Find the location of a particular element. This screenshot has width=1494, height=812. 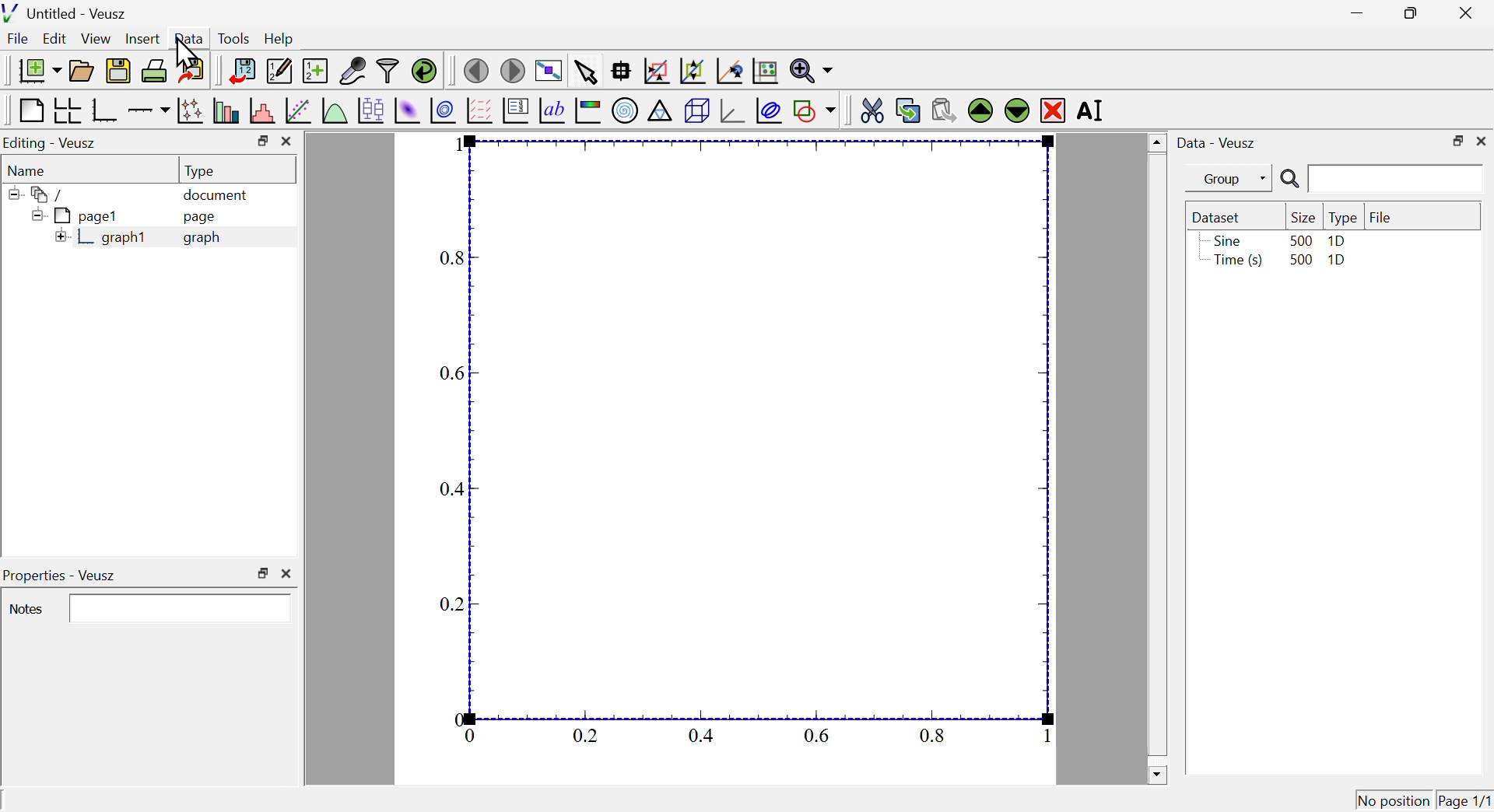

plot a 2d dataset as an image is located at coordinates (408, 110).